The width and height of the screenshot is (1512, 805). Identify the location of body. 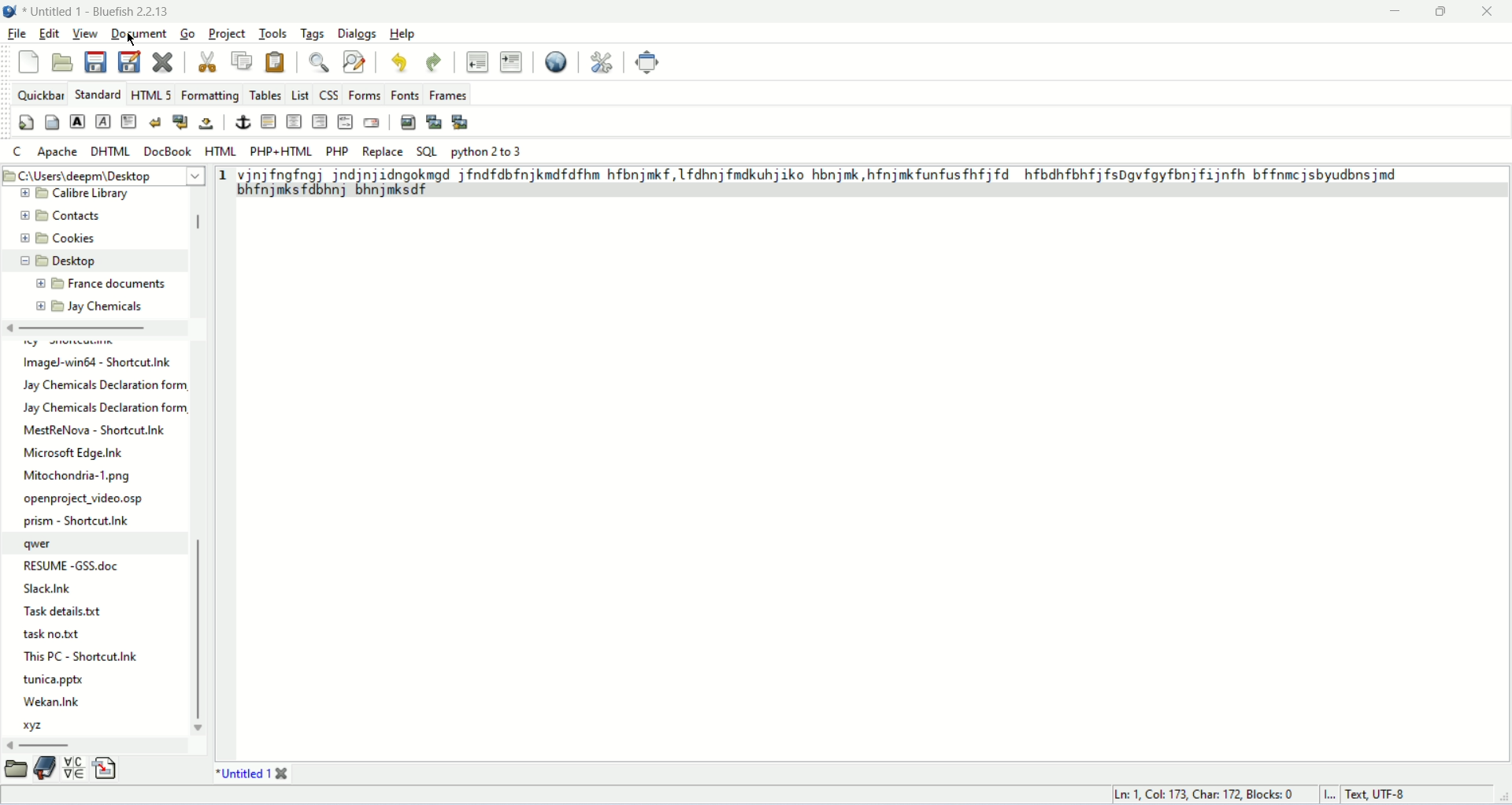
(53, 122).